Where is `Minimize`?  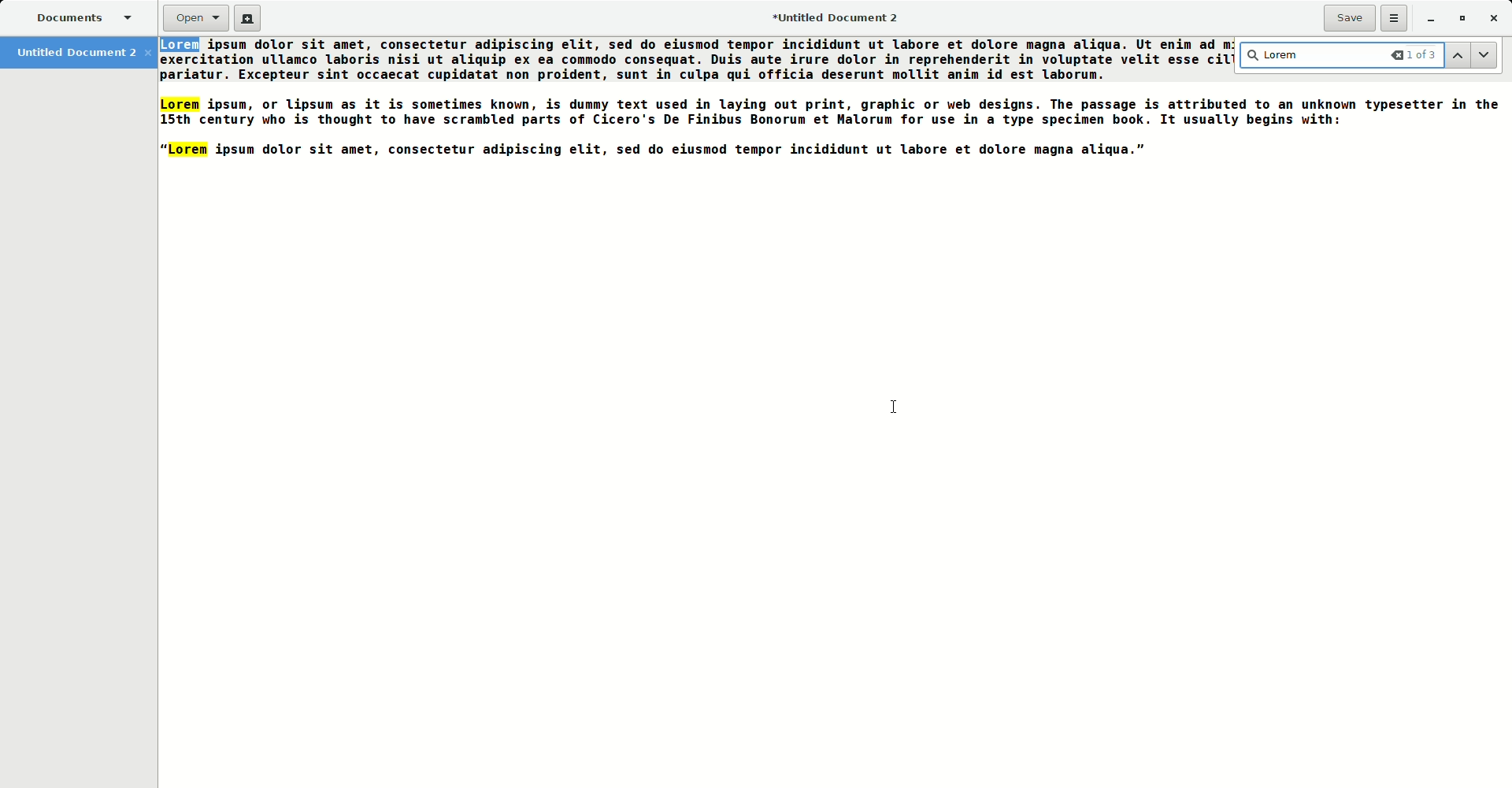
Minimize is located at coordinates (1428, 20).